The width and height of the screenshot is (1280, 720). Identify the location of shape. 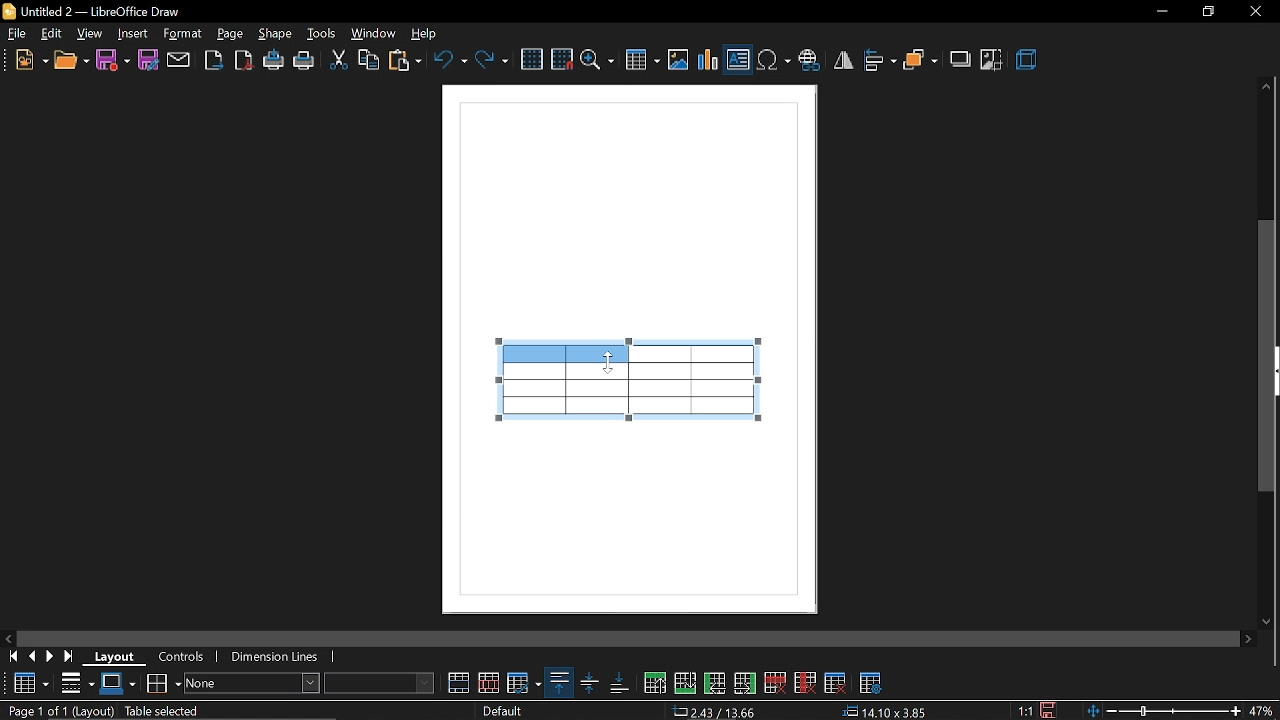
(276, 33).